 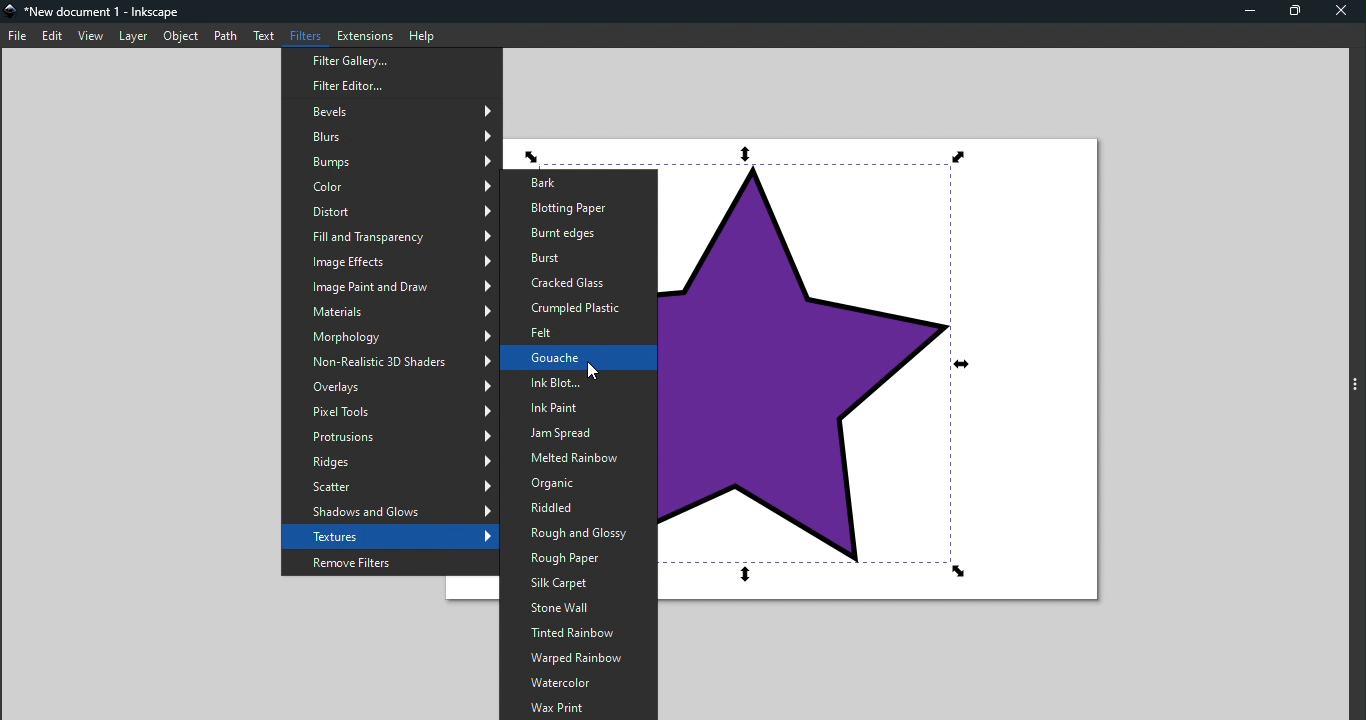 I want to click on Morphology, so click(x=390, y=337).